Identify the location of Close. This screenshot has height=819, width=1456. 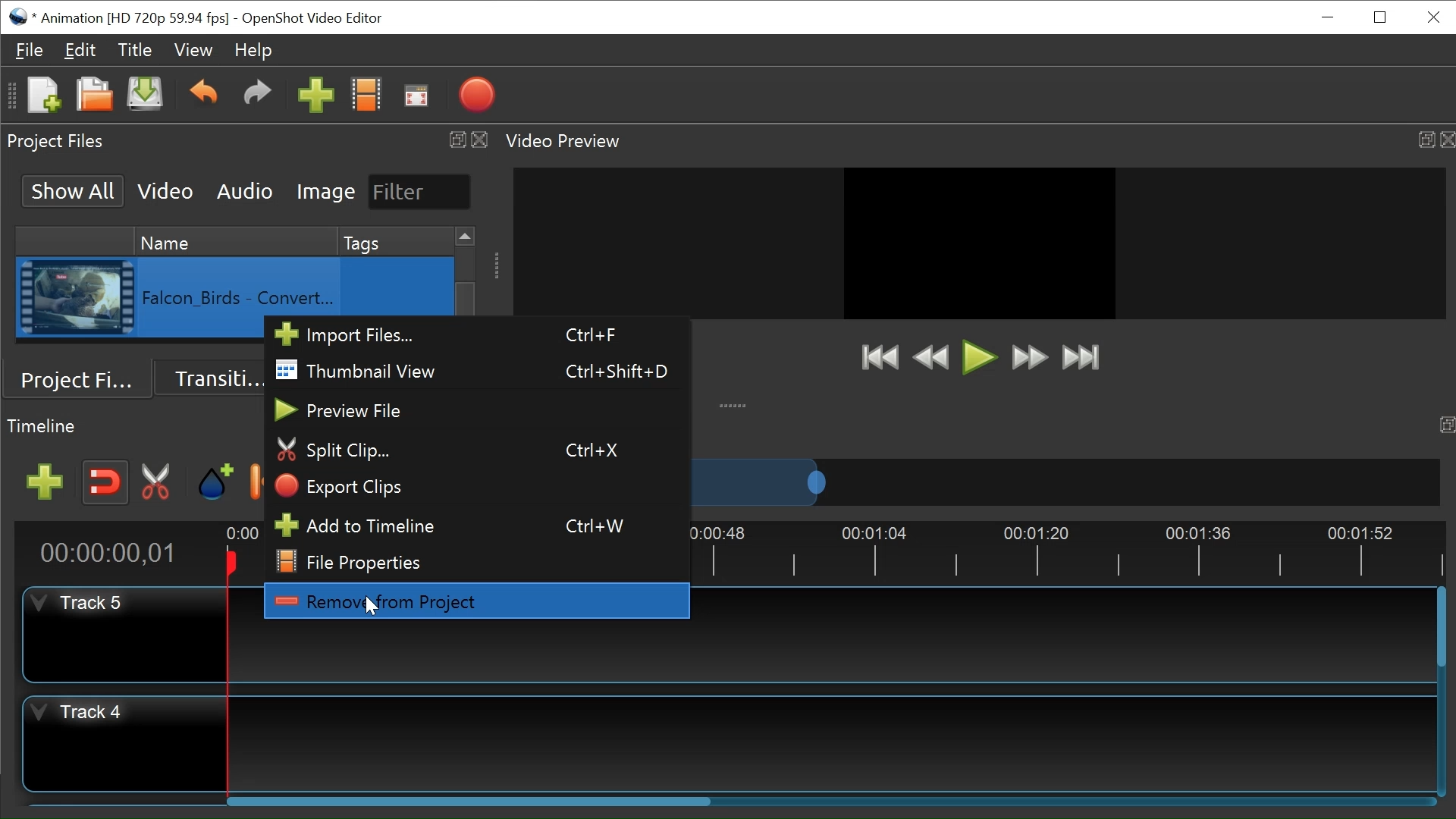
(1447, 140).